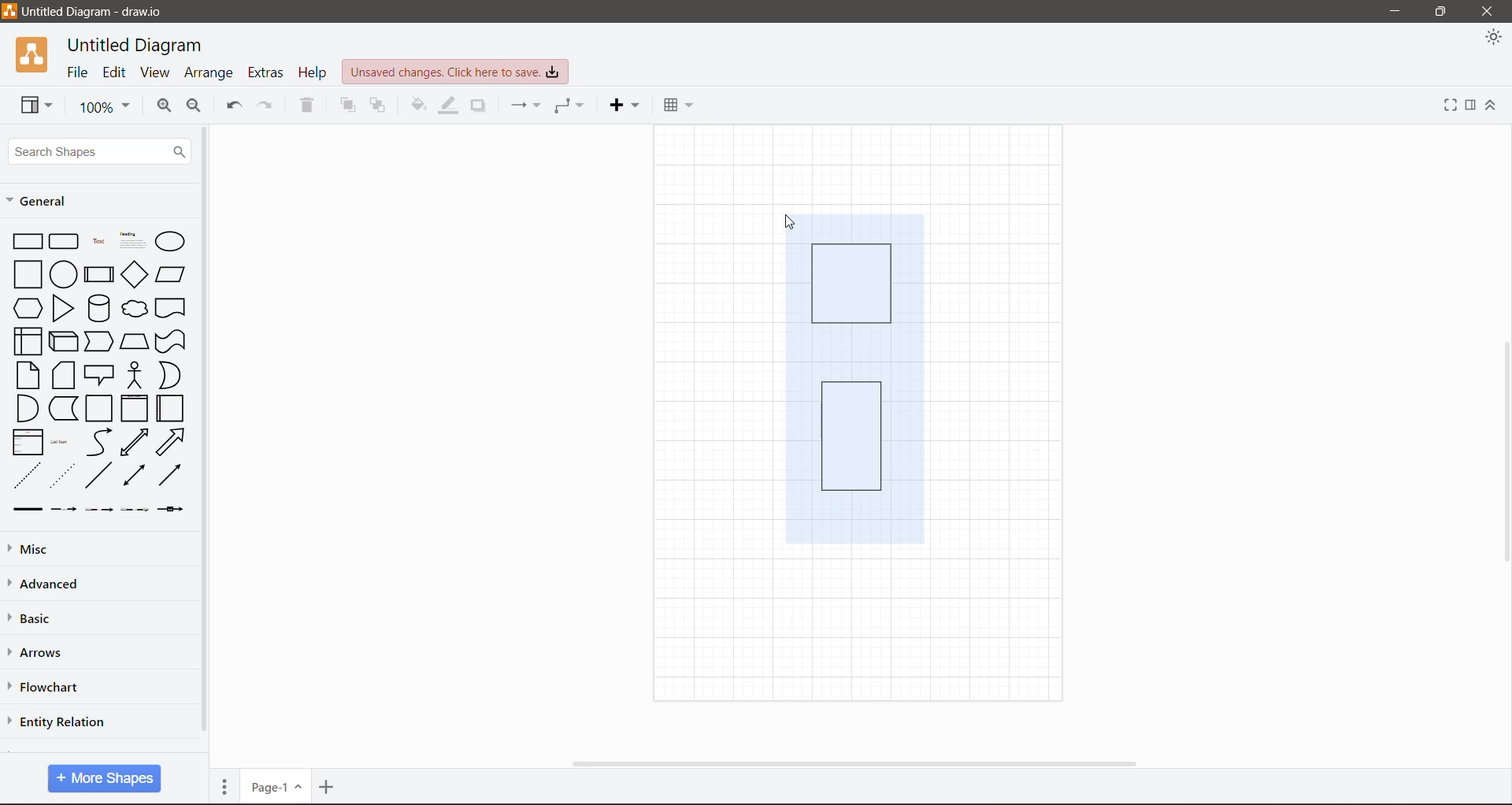  Describe the element at coordinates (265, 72) in the screenshot. I see `Extras` at that location.